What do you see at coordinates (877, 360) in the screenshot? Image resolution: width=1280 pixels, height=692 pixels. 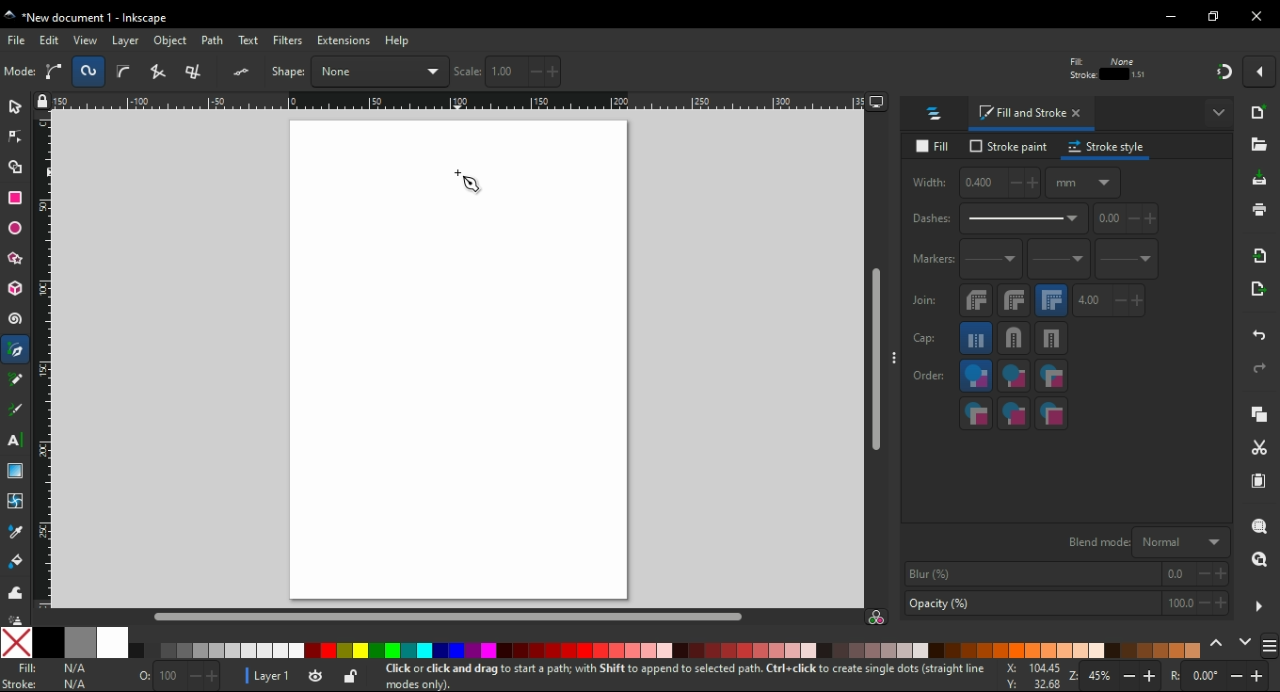 I see `scroll bar` at bounding box center [877, 360].